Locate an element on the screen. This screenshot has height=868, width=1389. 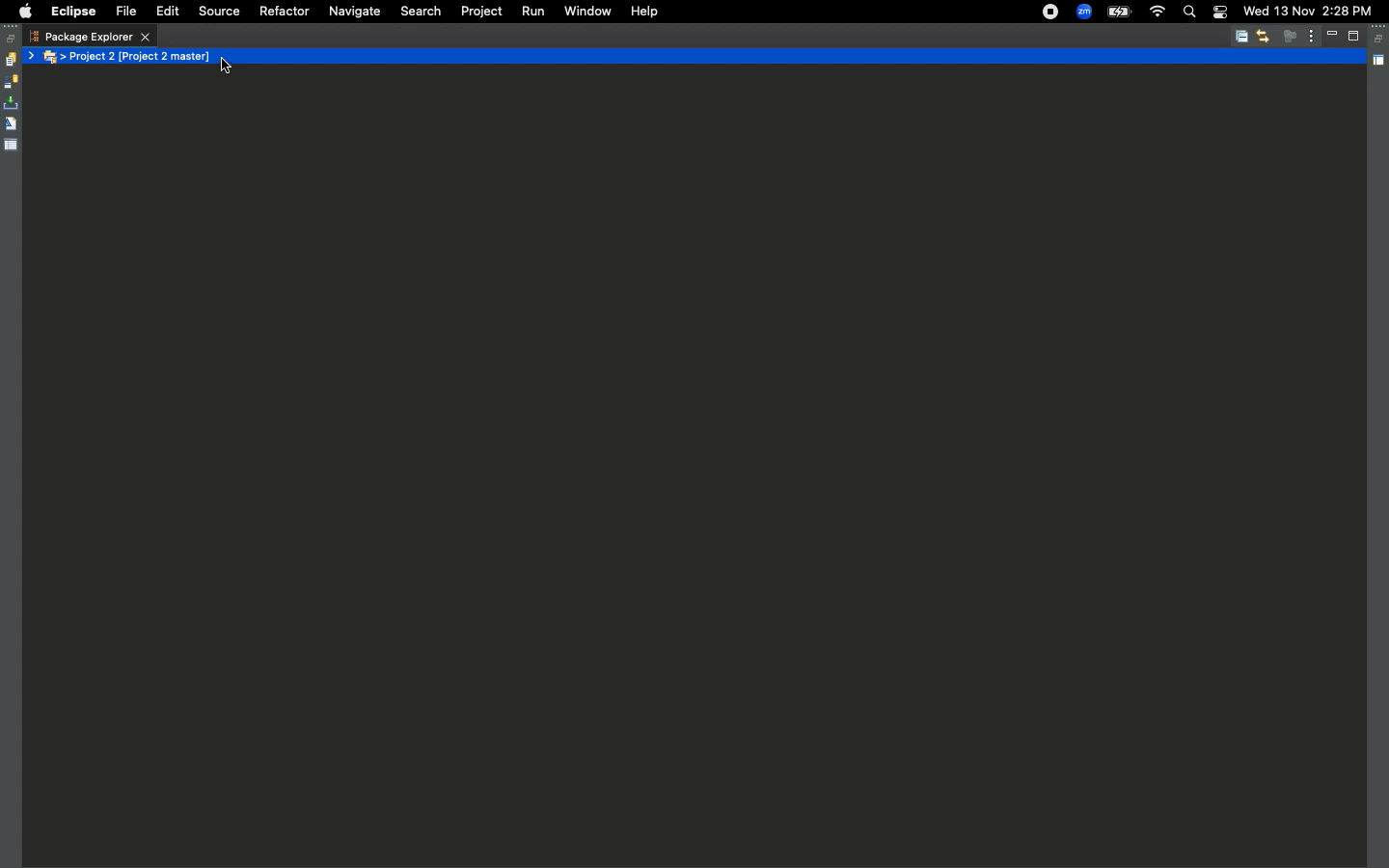
Restore is located at coordinates (12, 39).